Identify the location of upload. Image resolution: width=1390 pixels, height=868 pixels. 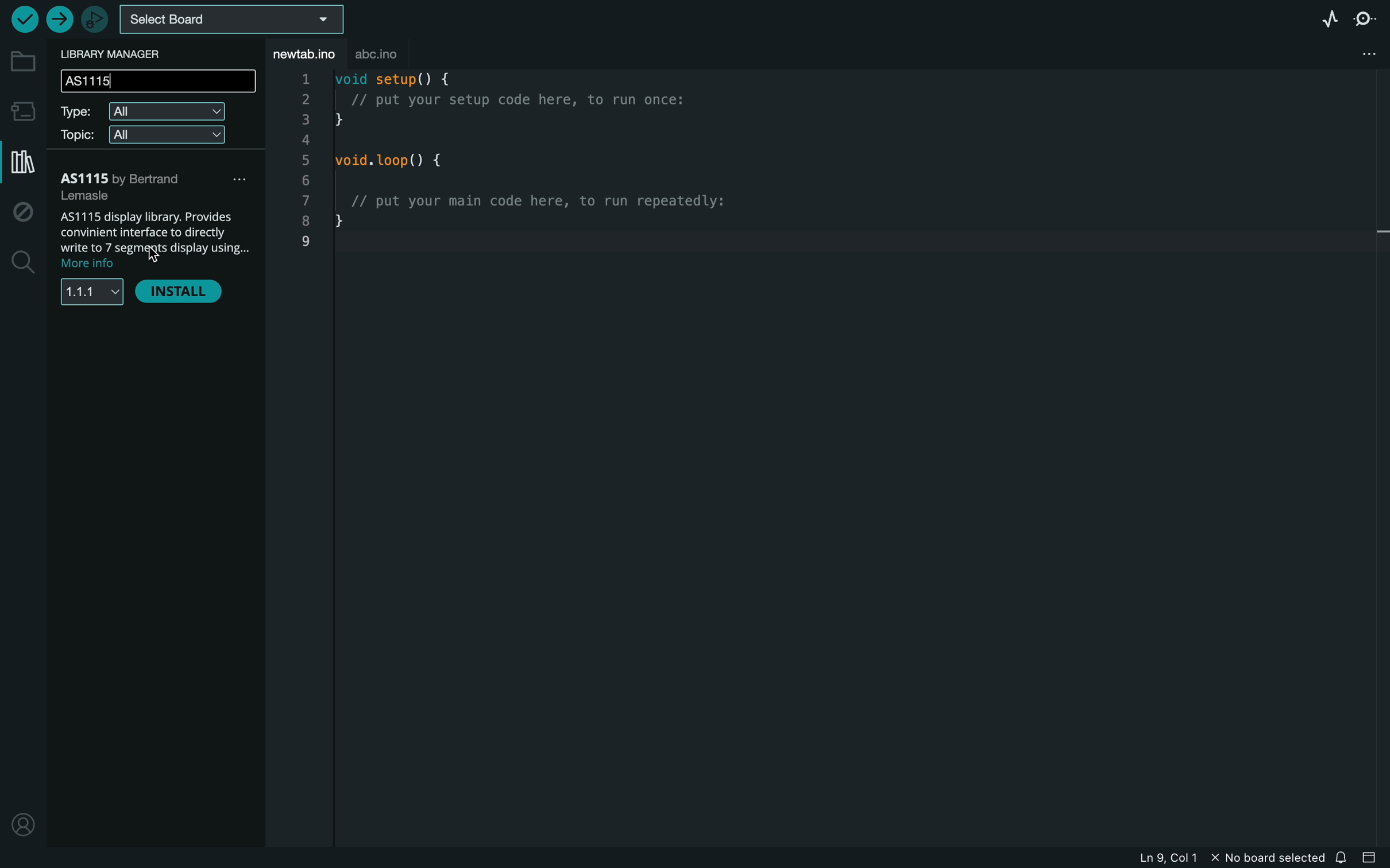
(59, 19).